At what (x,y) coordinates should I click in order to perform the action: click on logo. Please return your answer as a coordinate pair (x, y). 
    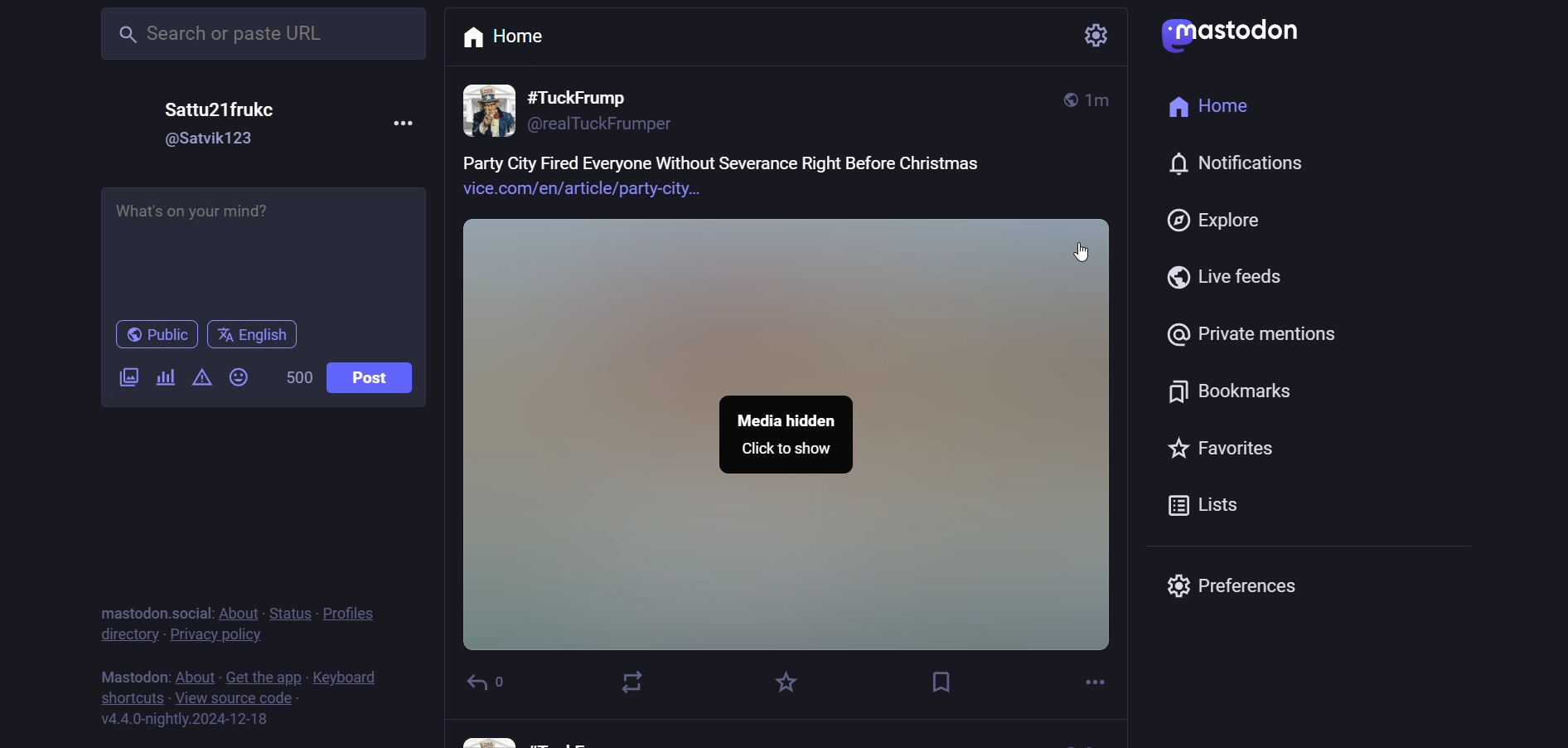
    Looking at the image, I should click on (1230, 32).